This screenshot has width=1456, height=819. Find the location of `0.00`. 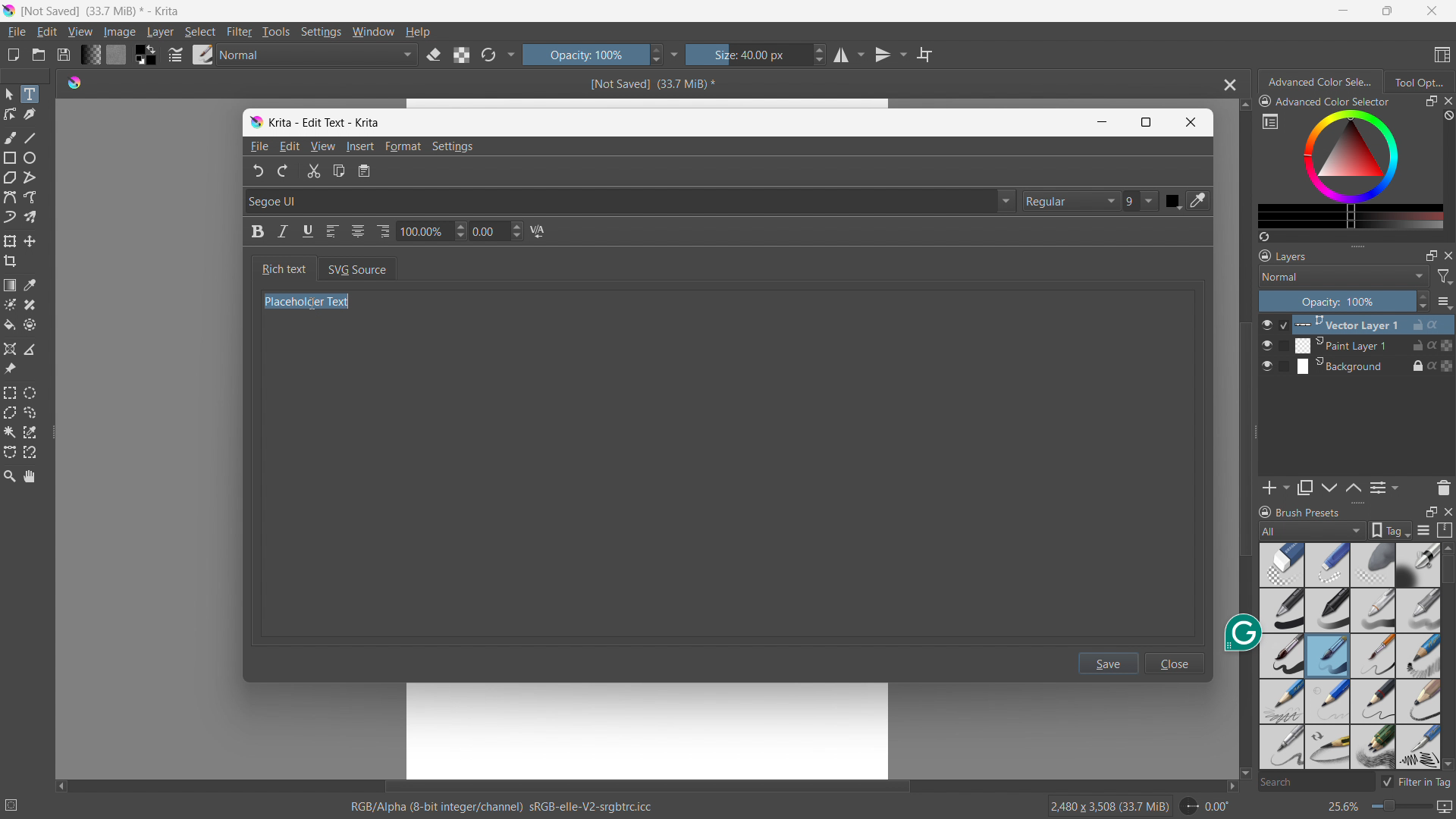

0.00 is located at coordinates (498, 232).